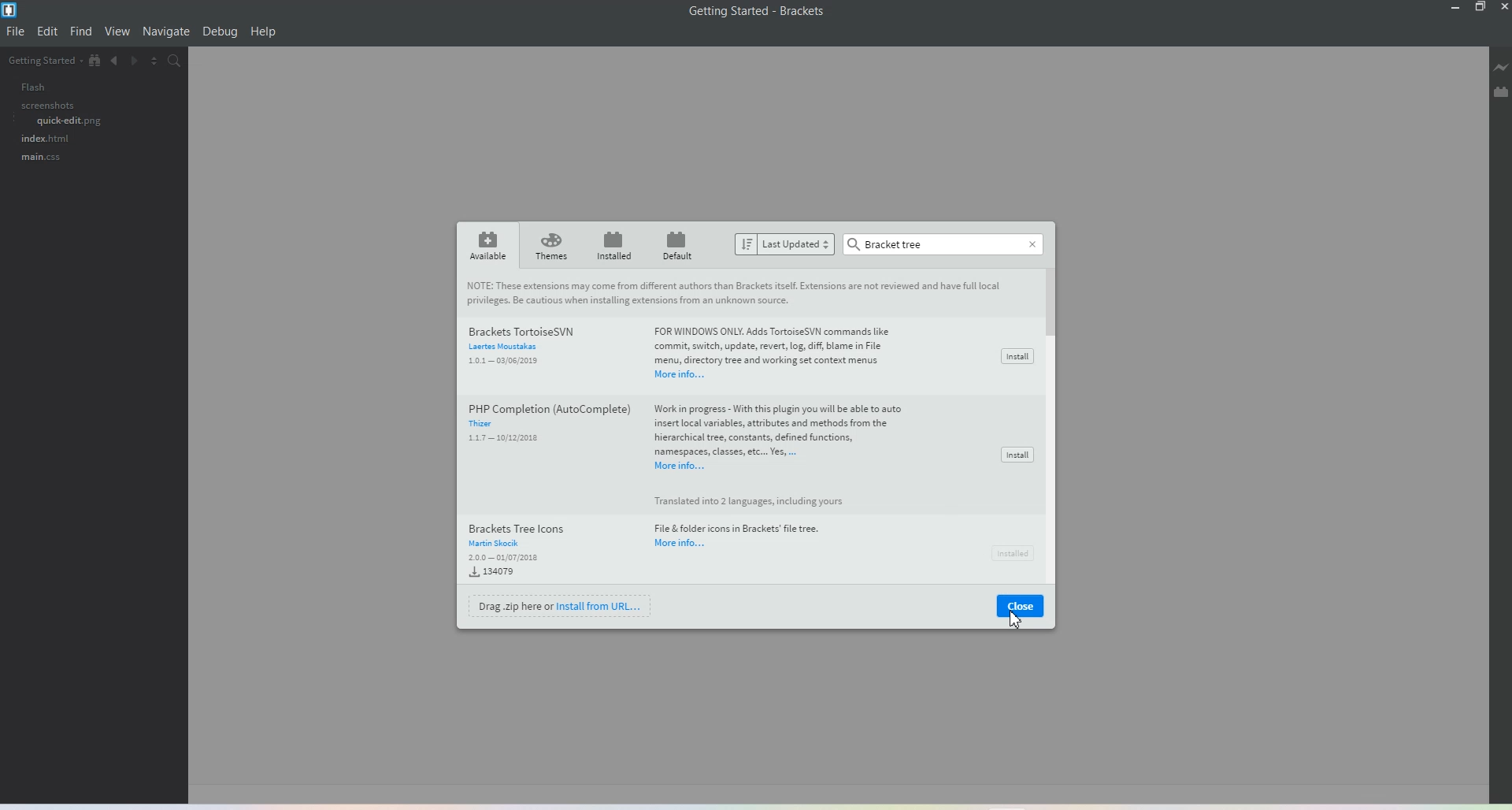  What do you see at coordinates (57, 123) in the screenshot?
I see `quick-edit.png` at bounding box center [57, 123].